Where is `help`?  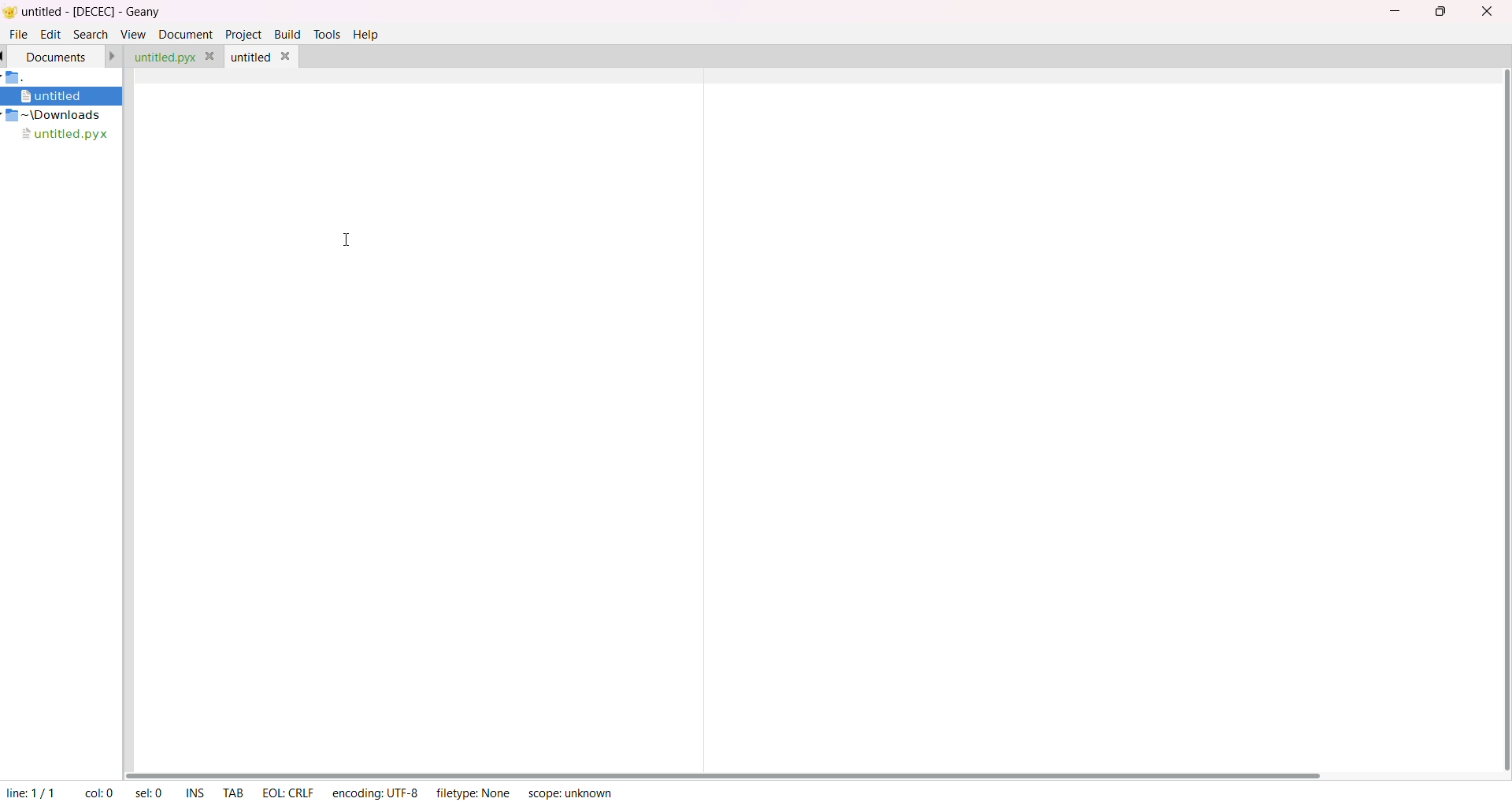 help is located at coordinates (366, 34).